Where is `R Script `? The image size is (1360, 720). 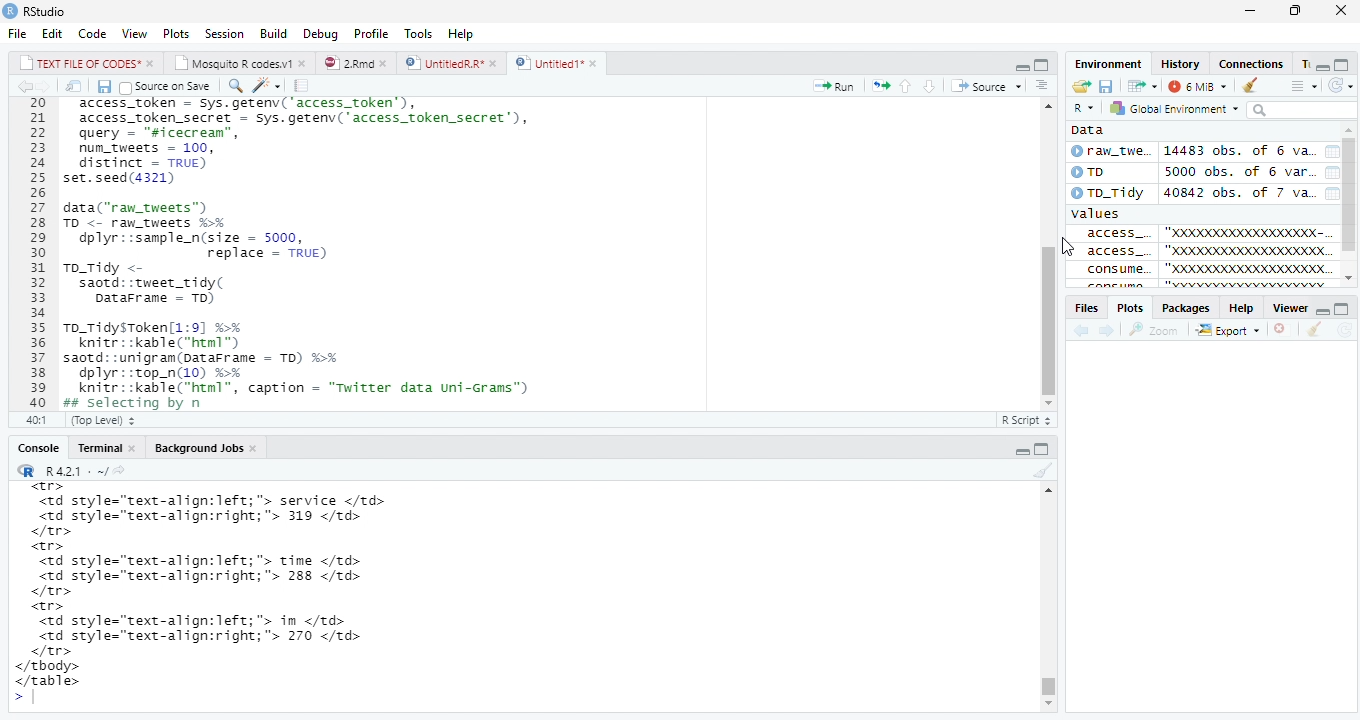 R Script  is located at coordinates (1024, 420).